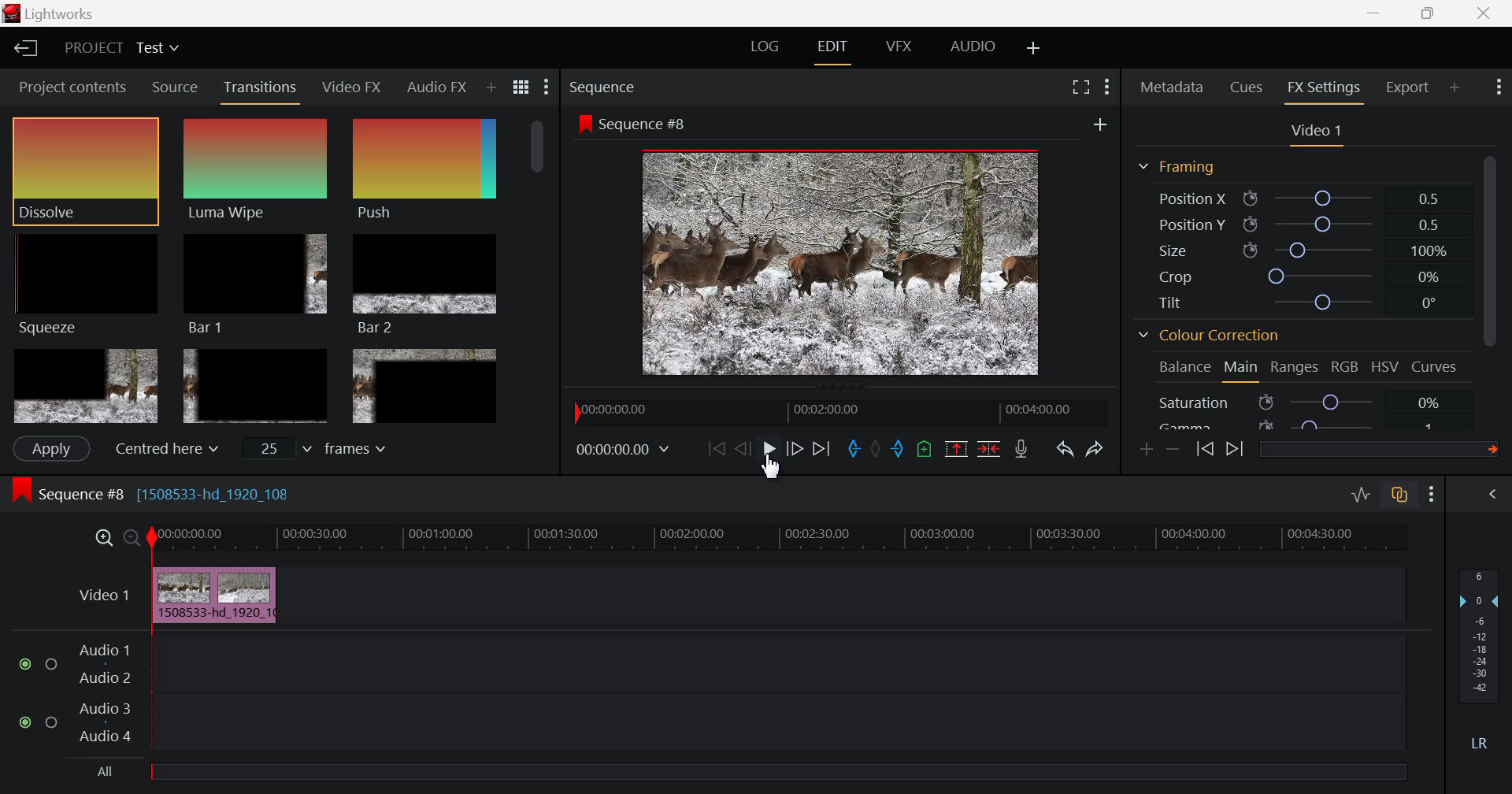 This screenshot has height=794, width=1512. I want to click on Main Tab Open, so click(1242, 369).